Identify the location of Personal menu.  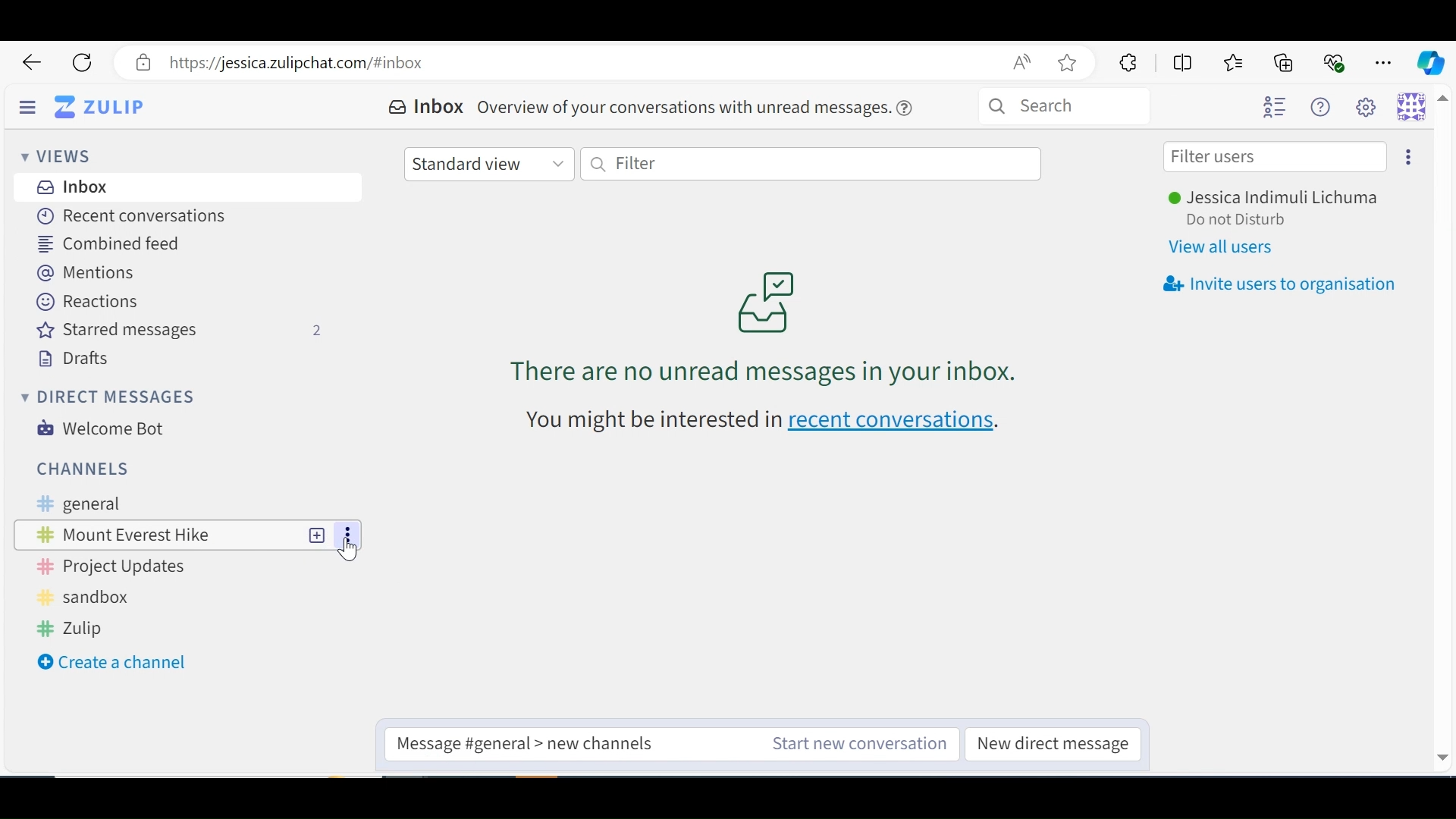
(1414, 108).